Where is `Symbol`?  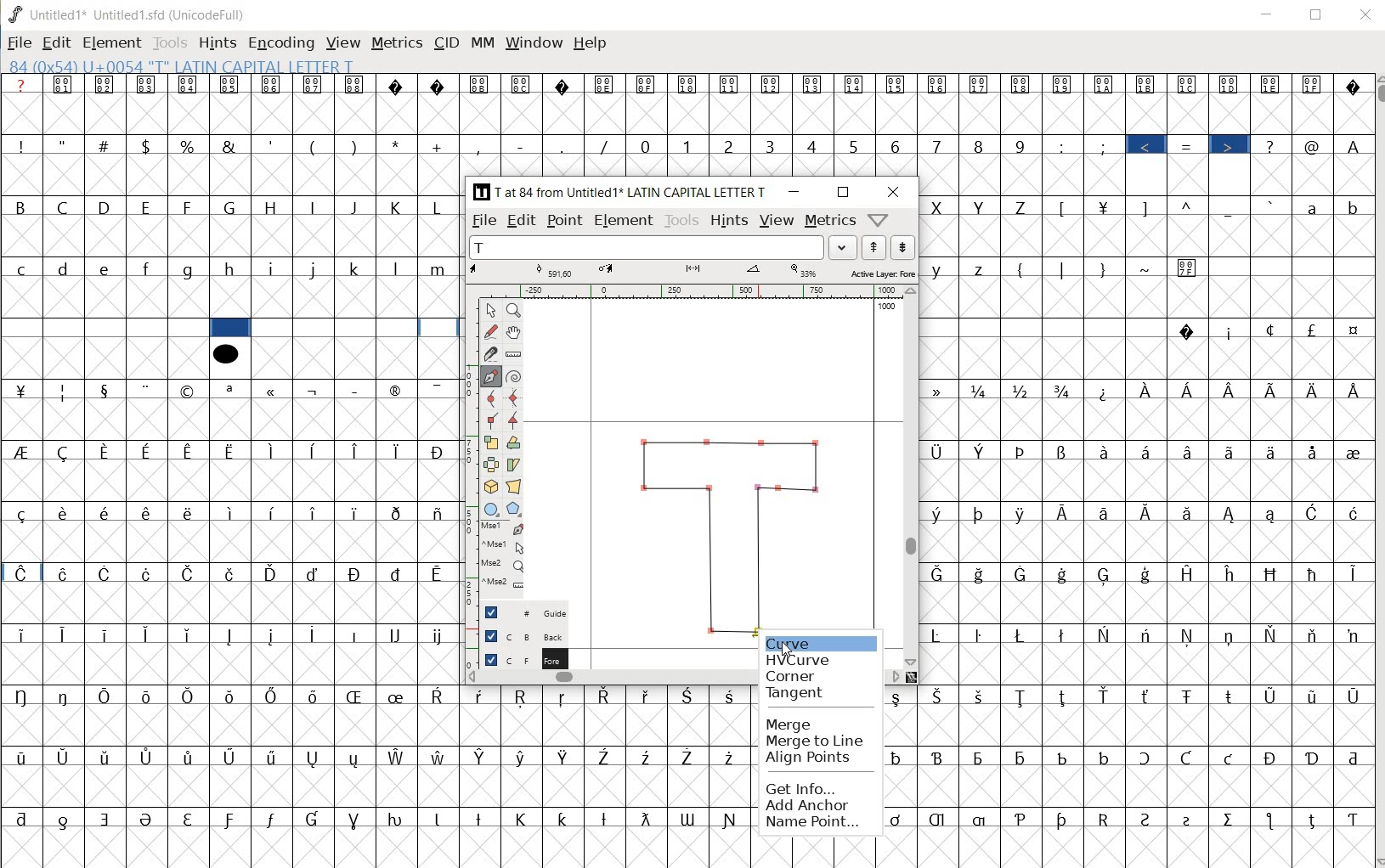 Symbol is located at coordinates (732, 757).